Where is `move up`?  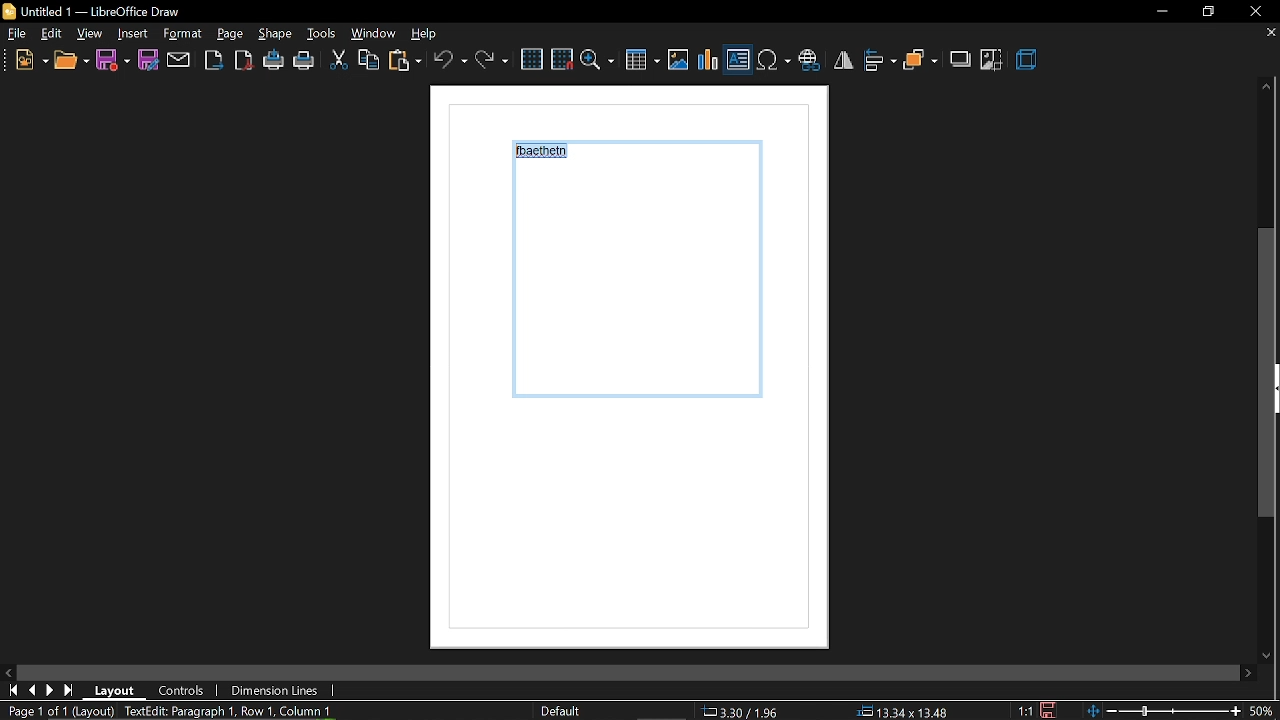
move up is located at coordinates (1267, 88).